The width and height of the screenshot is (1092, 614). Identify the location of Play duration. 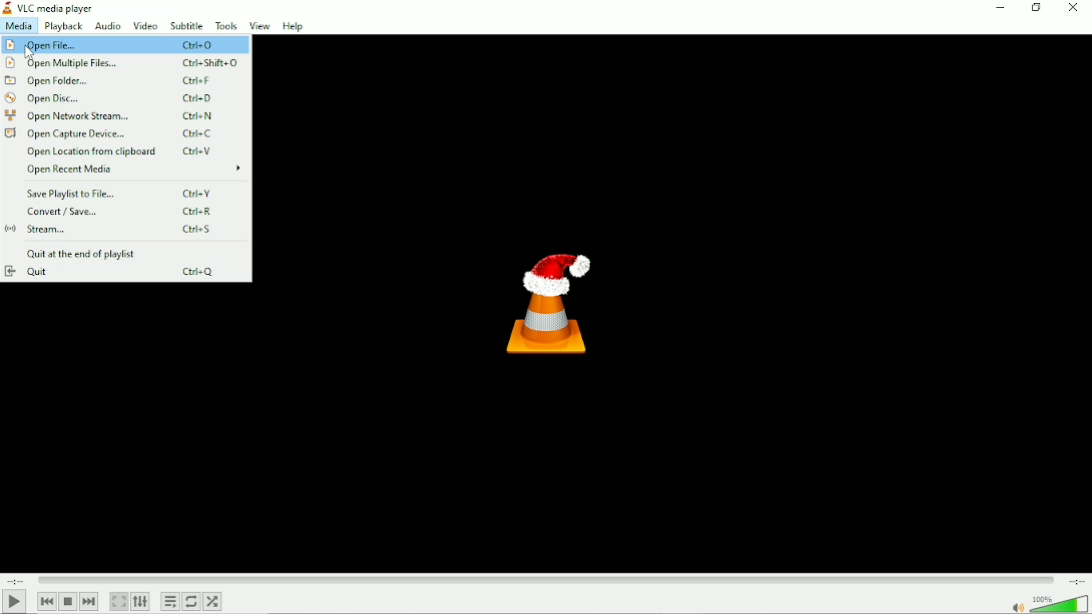
(545, 580).